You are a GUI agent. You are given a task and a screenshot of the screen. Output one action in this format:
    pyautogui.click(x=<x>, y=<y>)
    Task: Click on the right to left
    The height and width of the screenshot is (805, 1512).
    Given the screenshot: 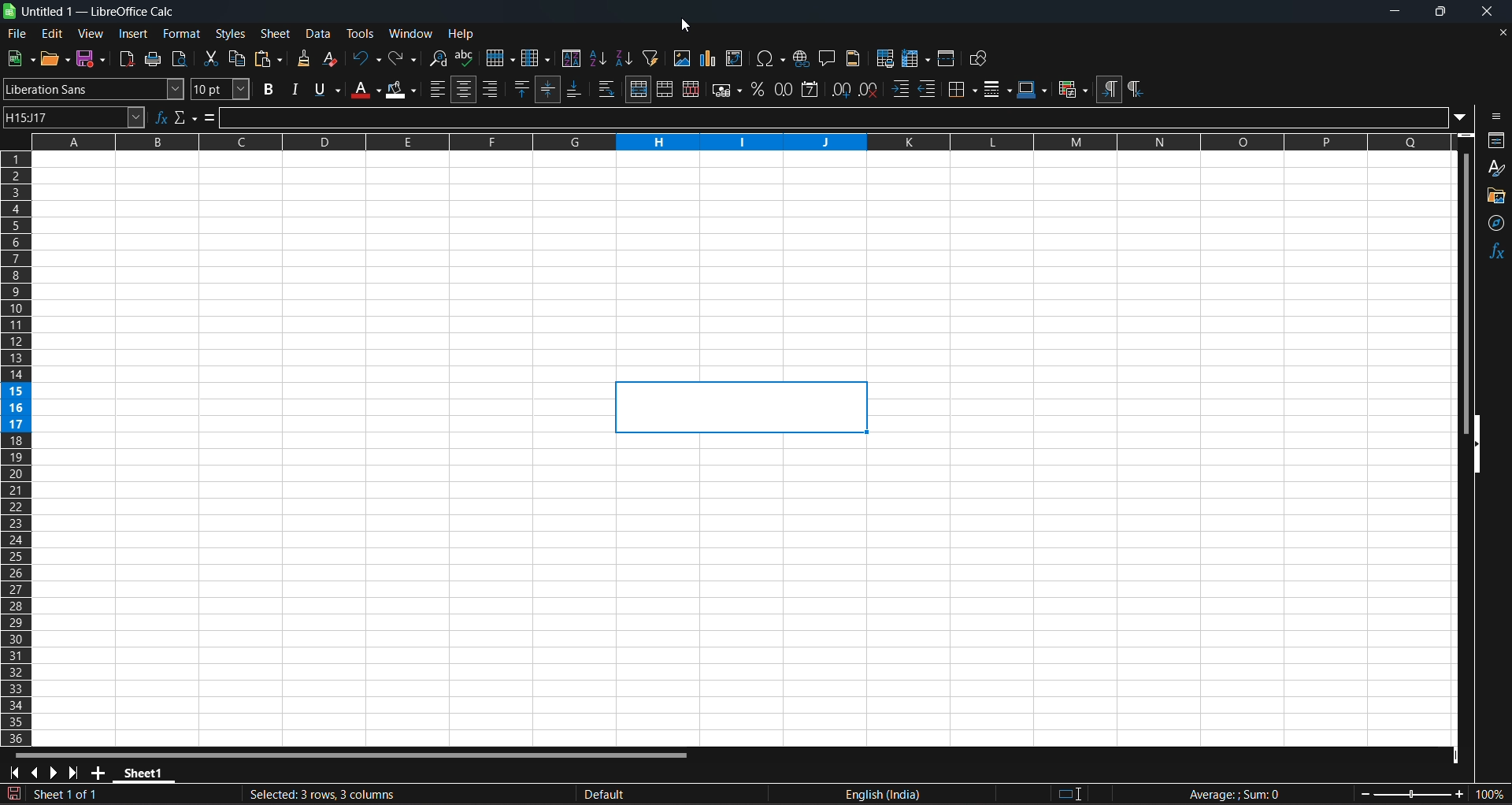 What is the action you would take?
    pyautogui.click(x=1135, y=89)
    